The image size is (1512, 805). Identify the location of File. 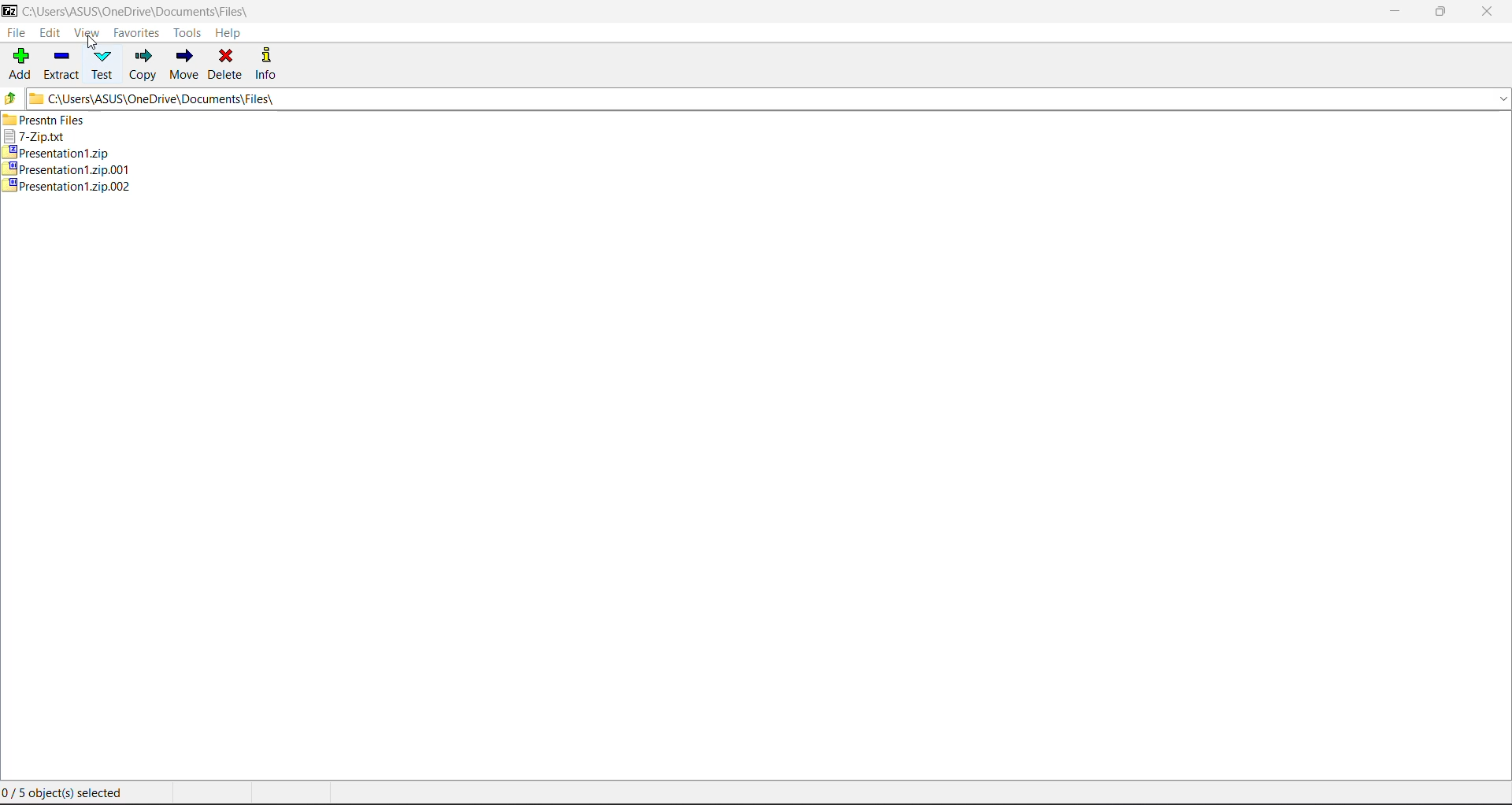
(17, 35).